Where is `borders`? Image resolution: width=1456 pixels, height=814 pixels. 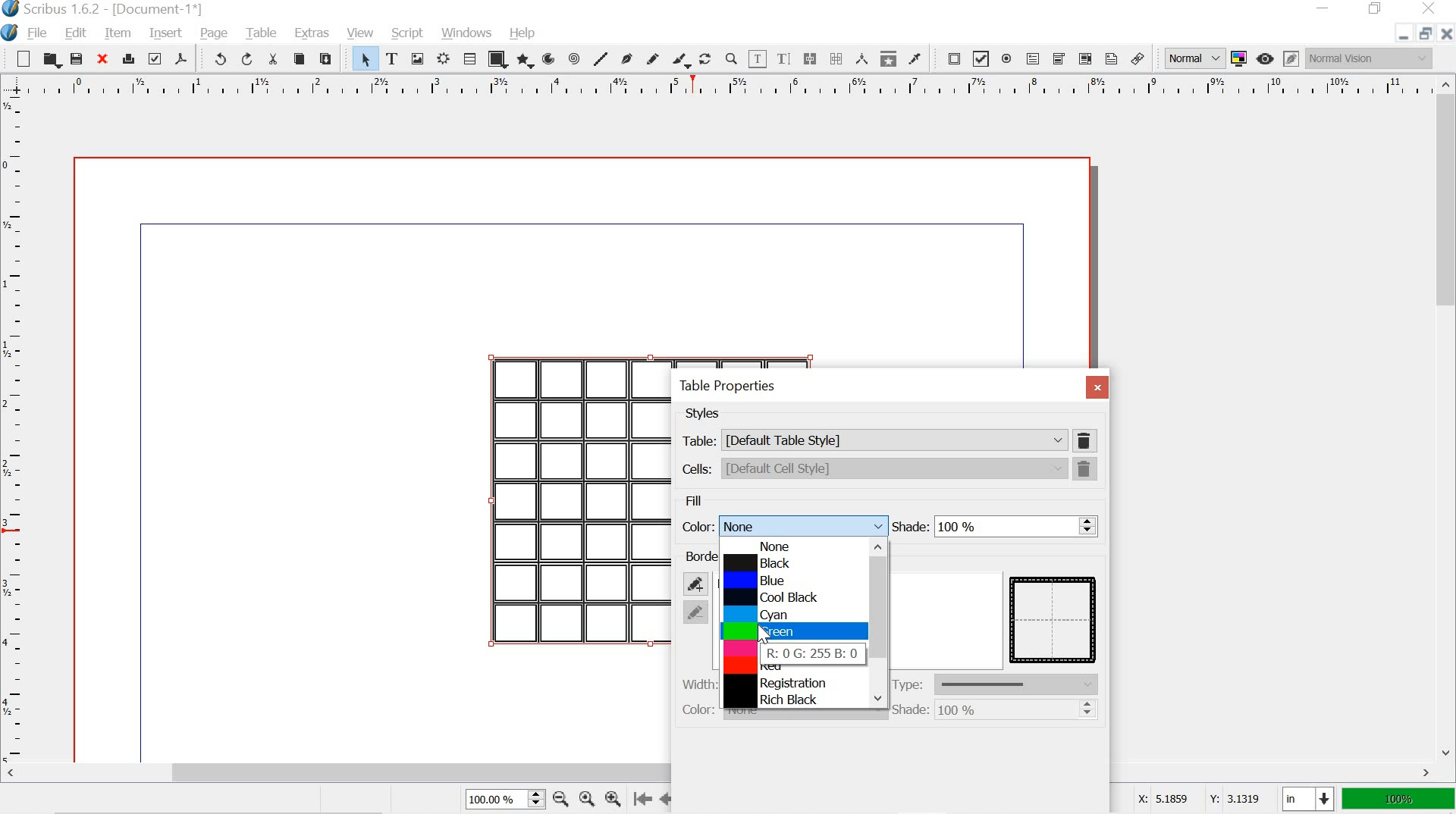
borders is located at coordinates (701, 556).